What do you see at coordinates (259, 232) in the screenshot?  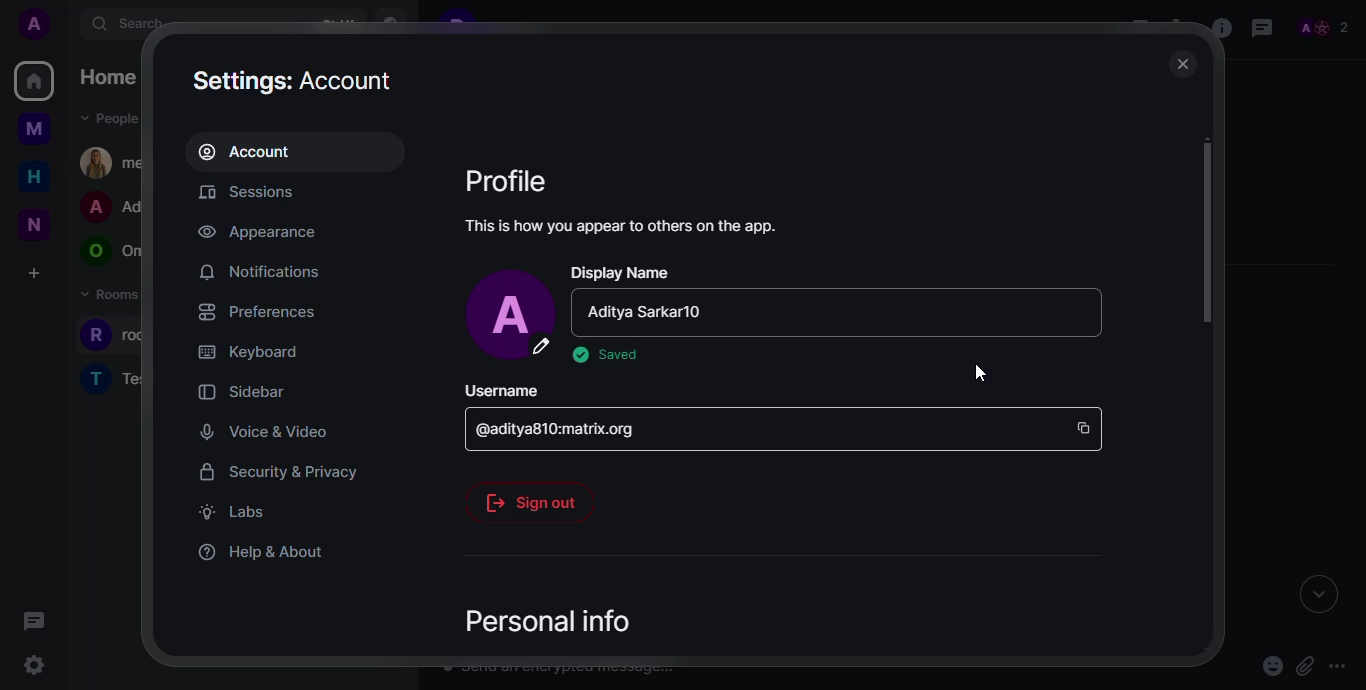 I see `appearance` at bounding box center [259, 232].